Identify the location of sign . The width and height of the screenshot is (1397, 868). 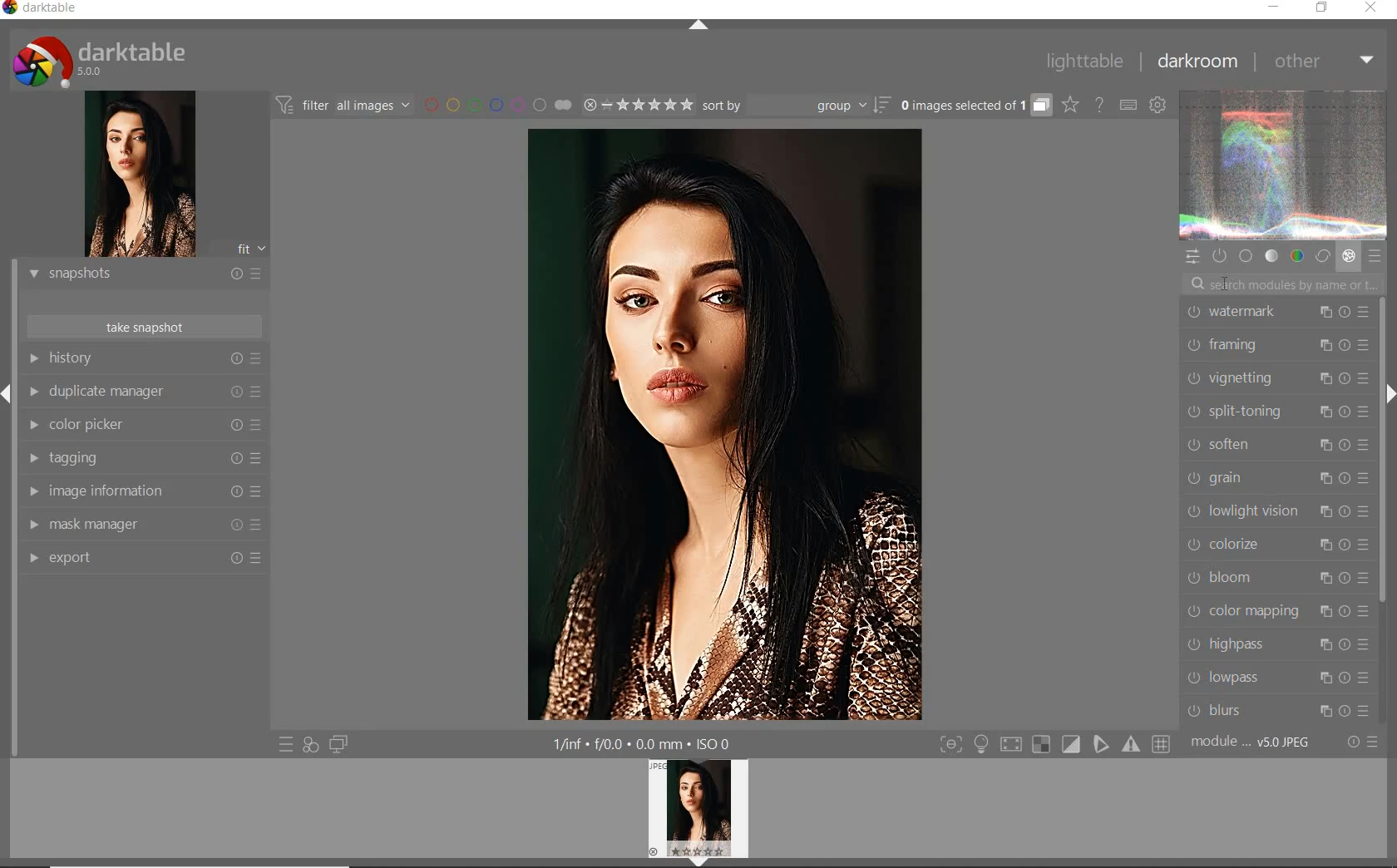
(1165, 746).